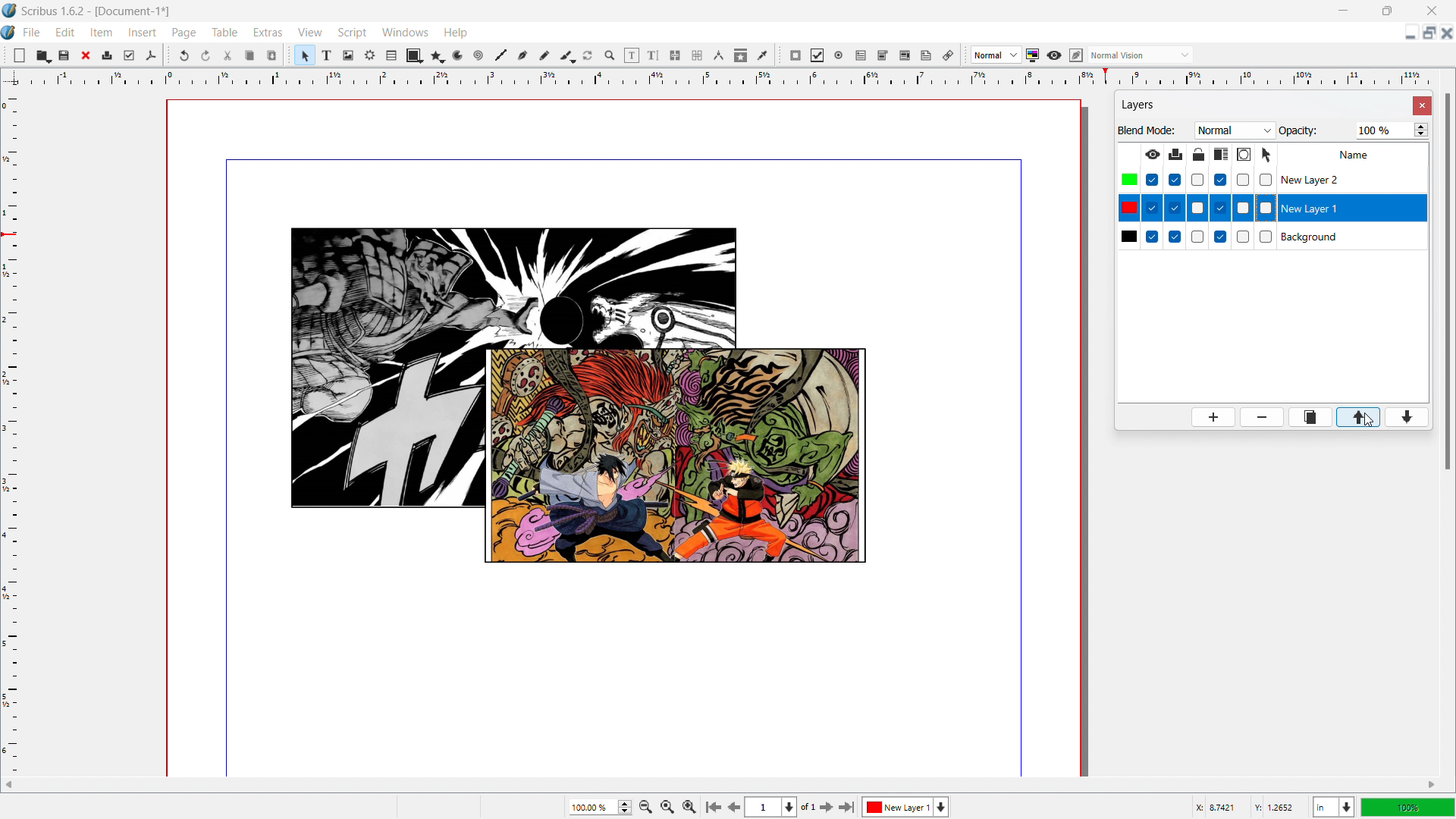  Describe the element at coordinates (1447, 33) in the screenshot. I see `close document` at that location.